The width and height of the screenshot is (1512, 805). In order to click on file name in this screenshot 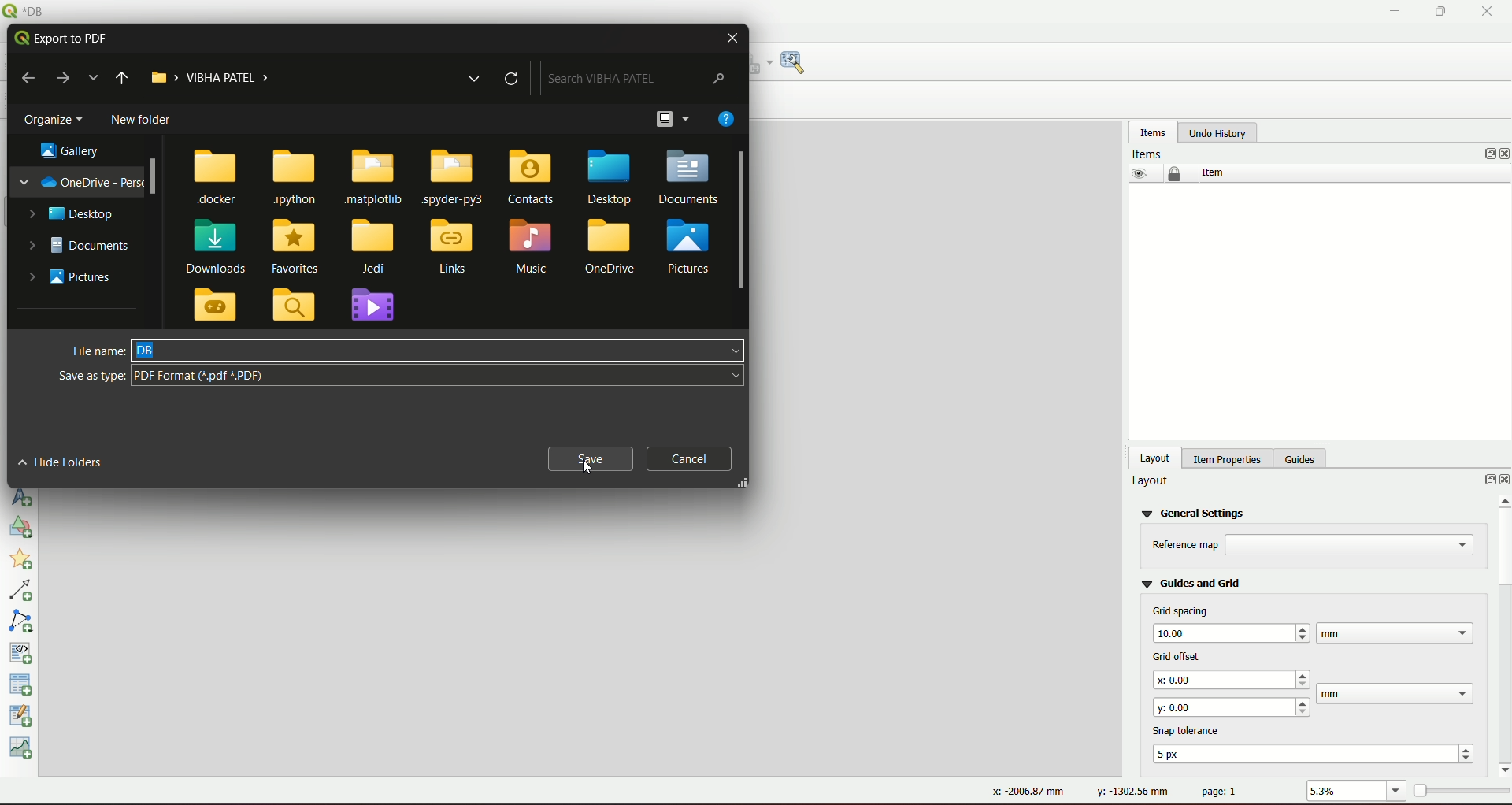, I will do `click(95, 348)`.